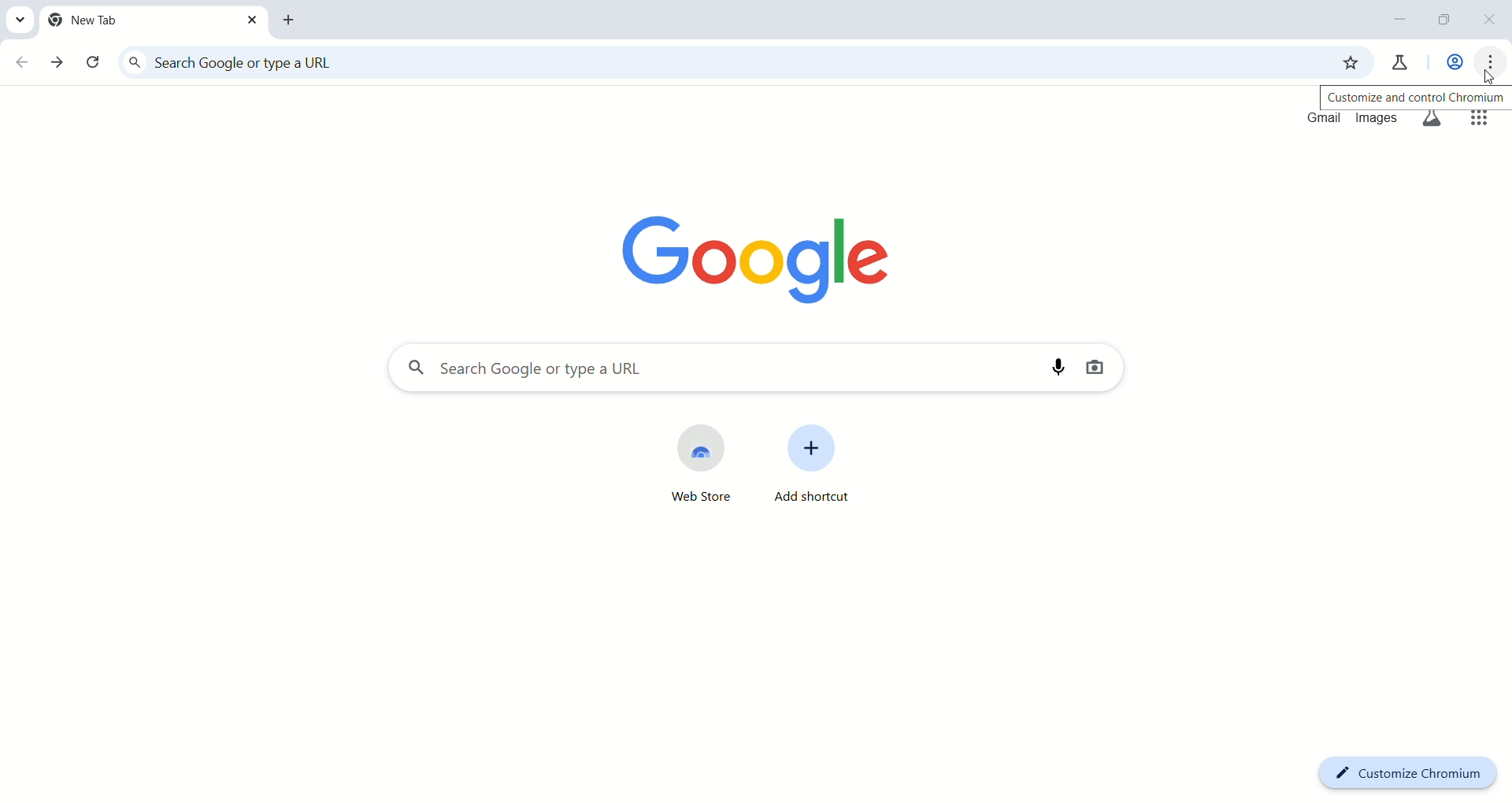  What do you see at coordinates (1415, 773) in the screenshot?
I see `customize chromium` at bounding box center [1415, 773].